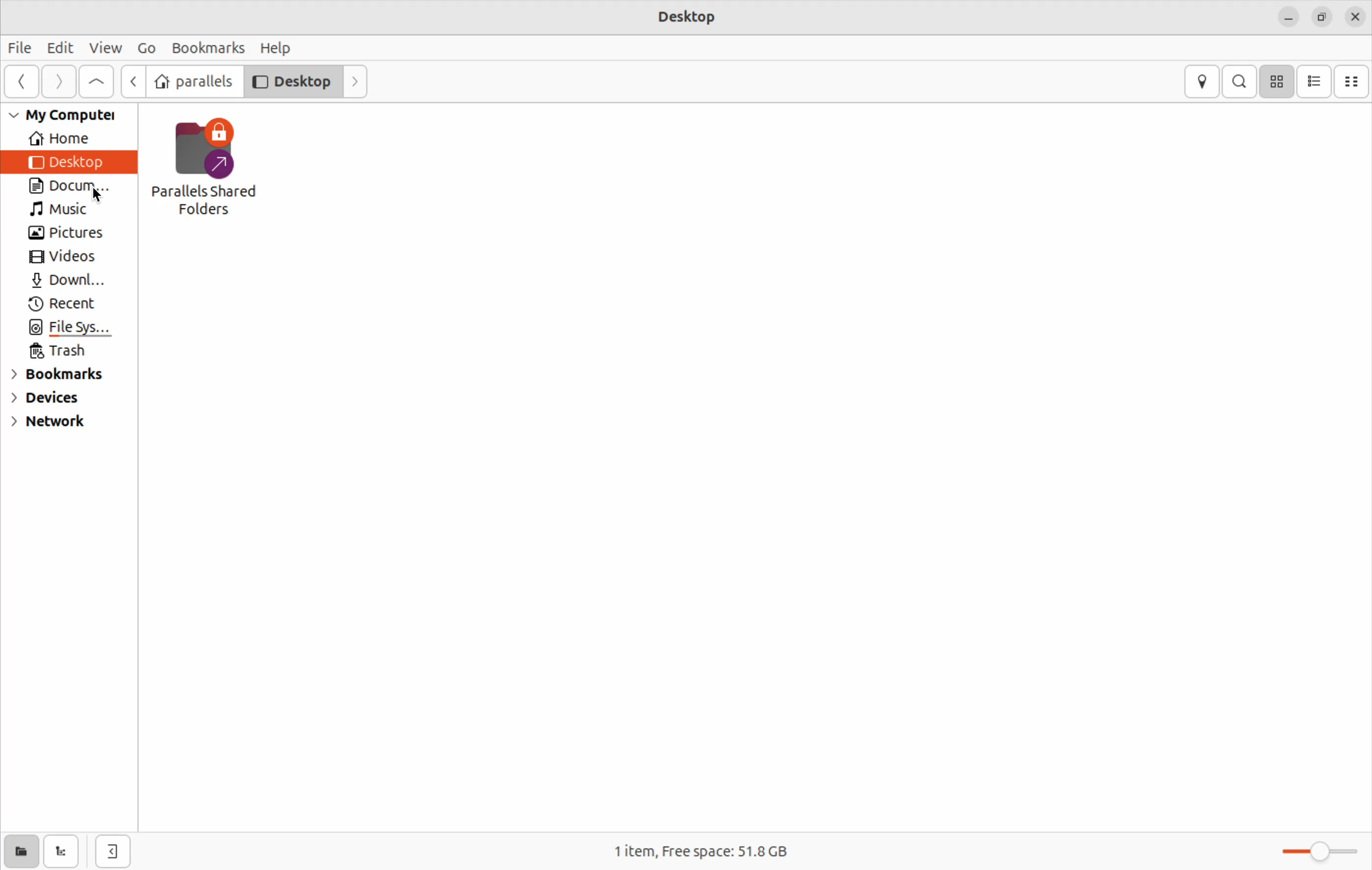 The image size is (1372, 870). What do you see at coordinates (700, 853) in the screenshot?
I see `1 item free space 51.8 Gb` at bounding box center [700, 853].